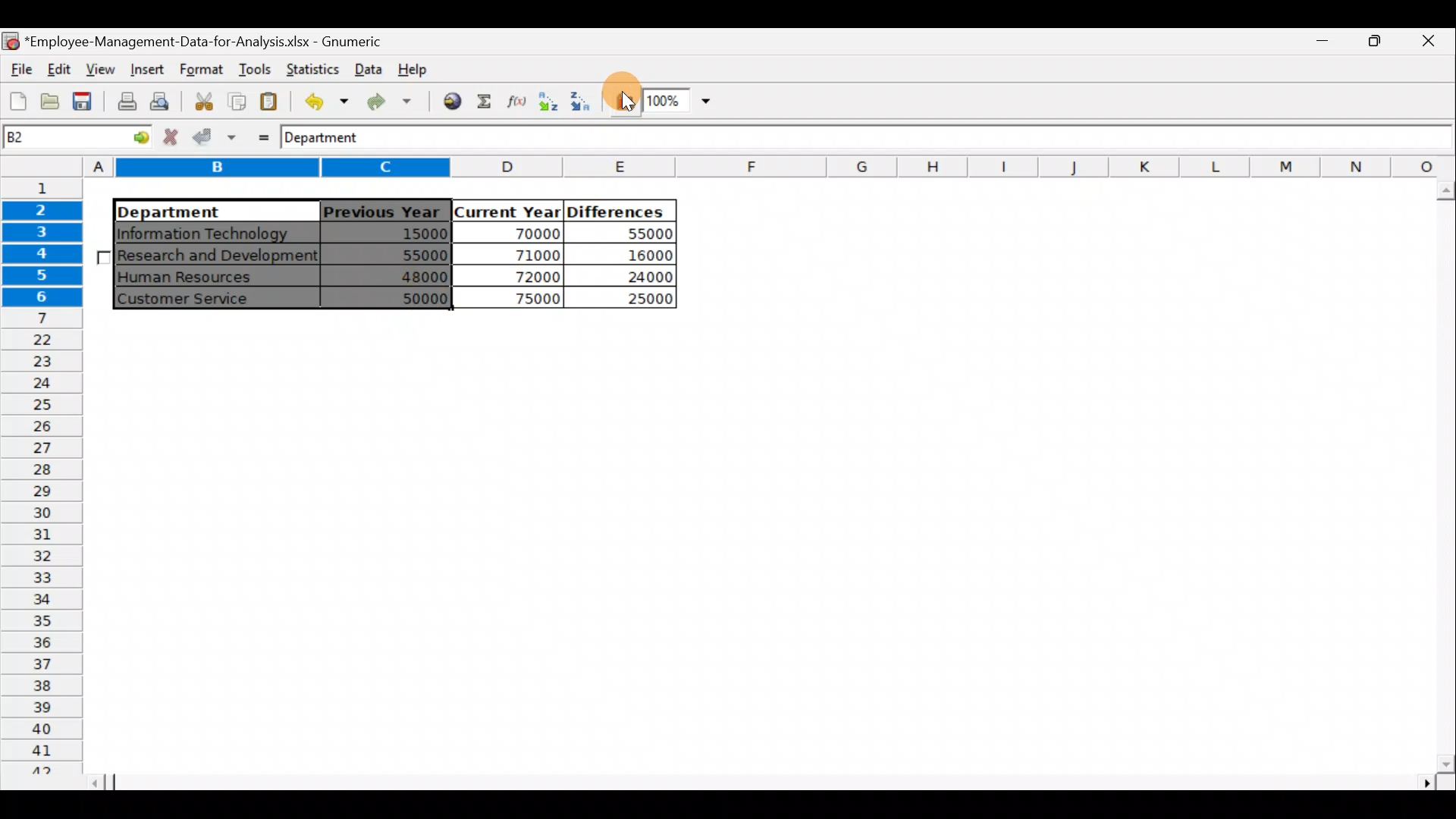 The image size is (1456, 819). What do you see at coordinates (18, 101) in the screenshot?
I see `Create a new workbook` at bounding box center [18, 101].